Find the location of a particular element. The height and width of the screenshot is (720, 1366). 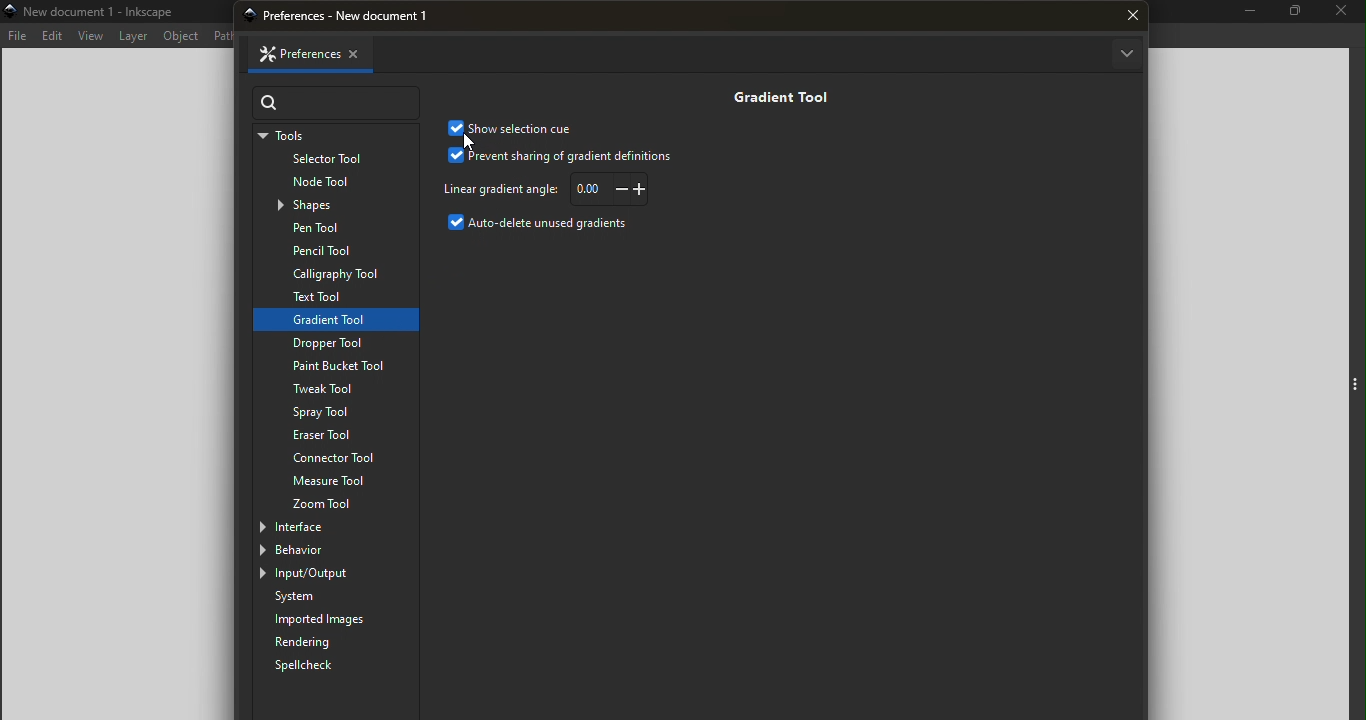

Eraser tool is located at coordinates (336, 435).